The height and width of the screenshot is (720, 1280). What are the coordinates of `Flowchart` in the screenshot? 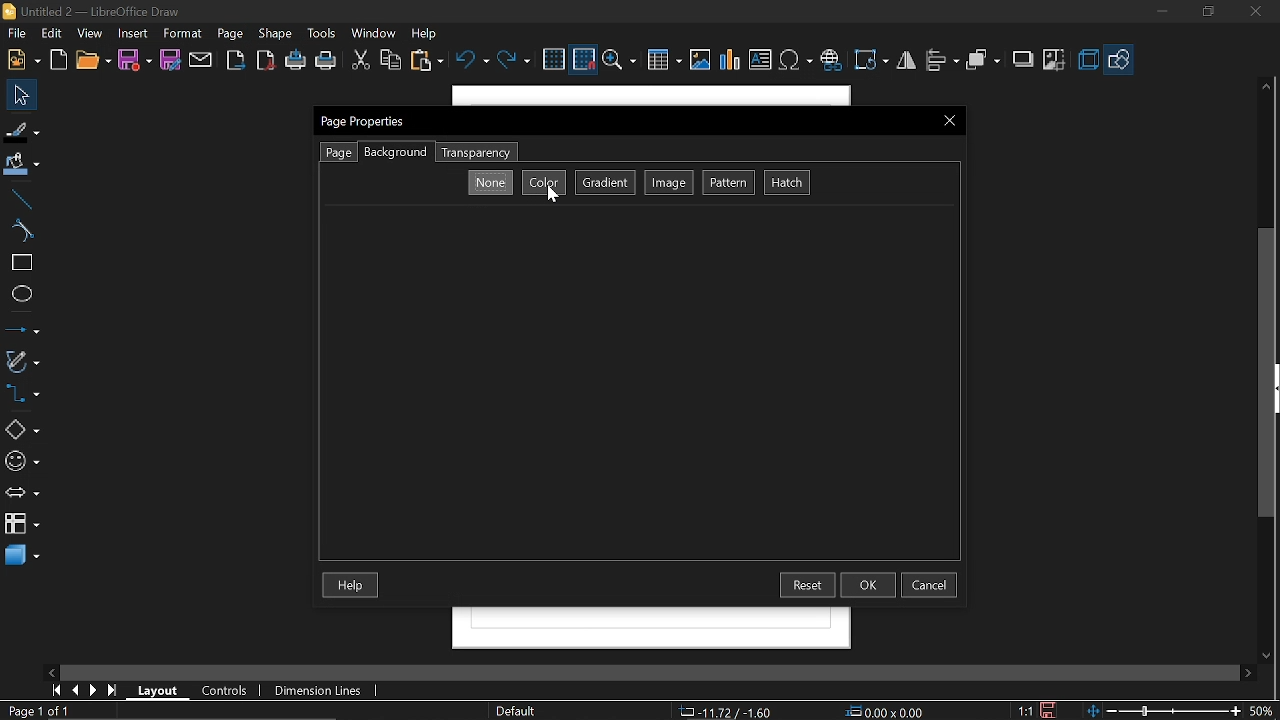 It's located at (20, 522).